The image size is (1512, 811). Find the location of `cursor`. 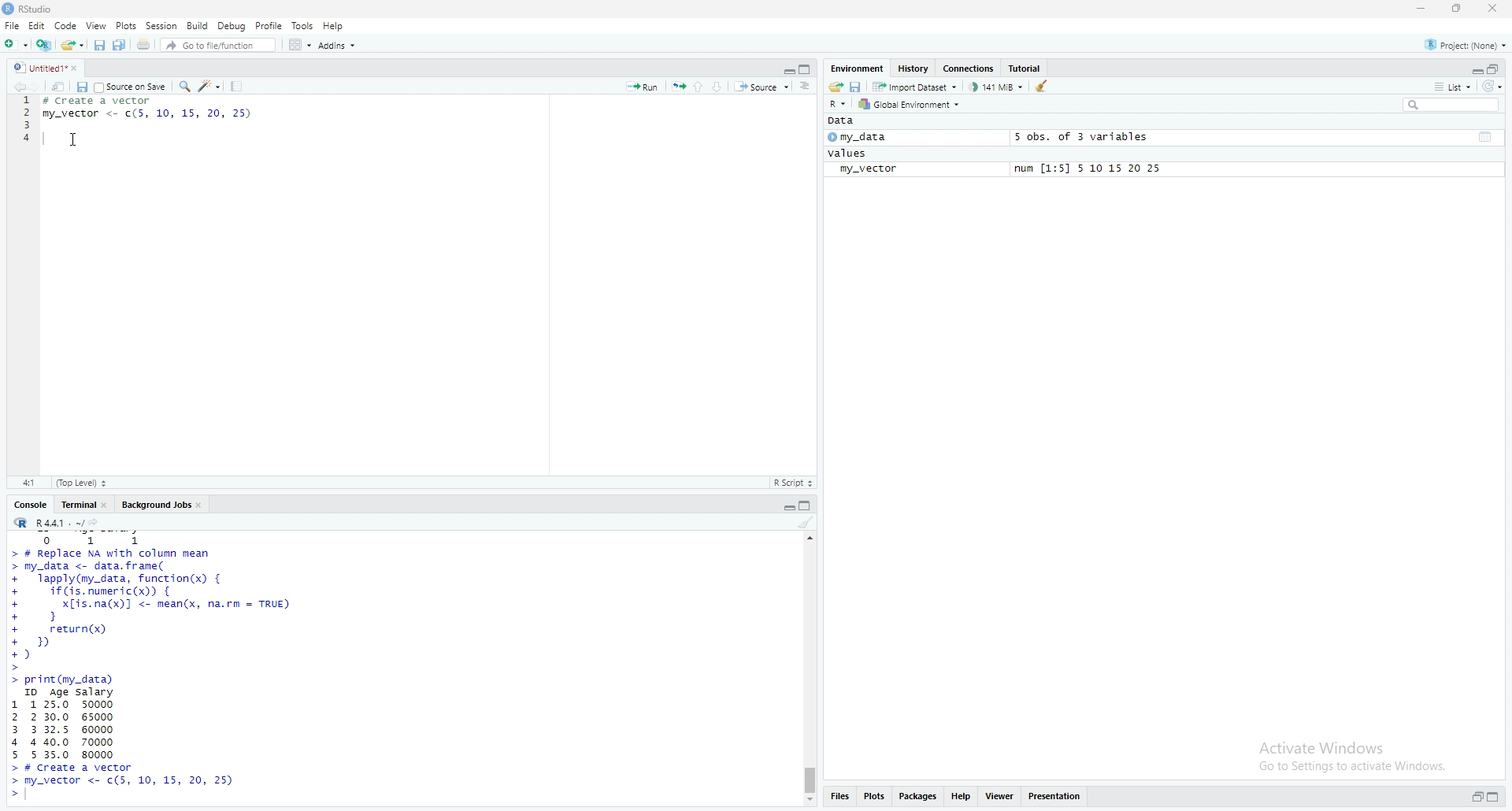

cursor is located at coordinates (72, 139).